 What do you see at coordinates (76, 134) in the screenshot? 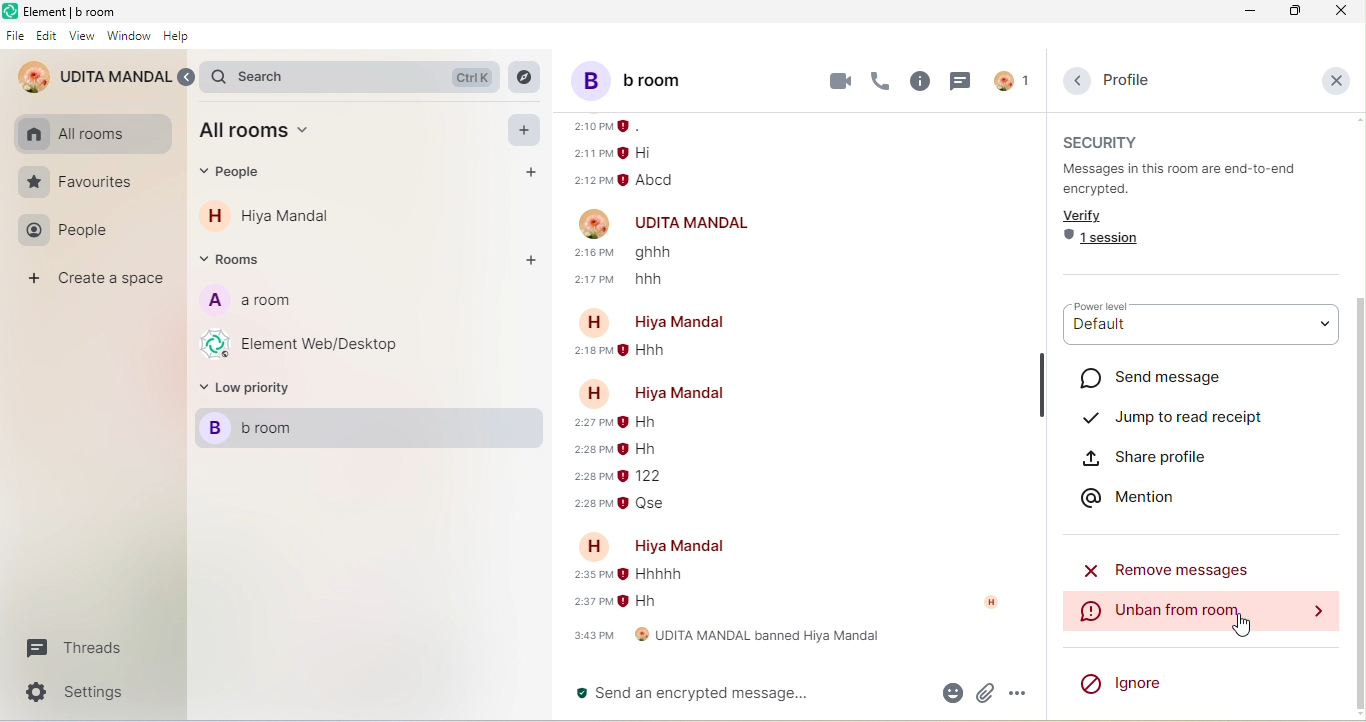
I see `all rooms` at bounding box center [76, 134].